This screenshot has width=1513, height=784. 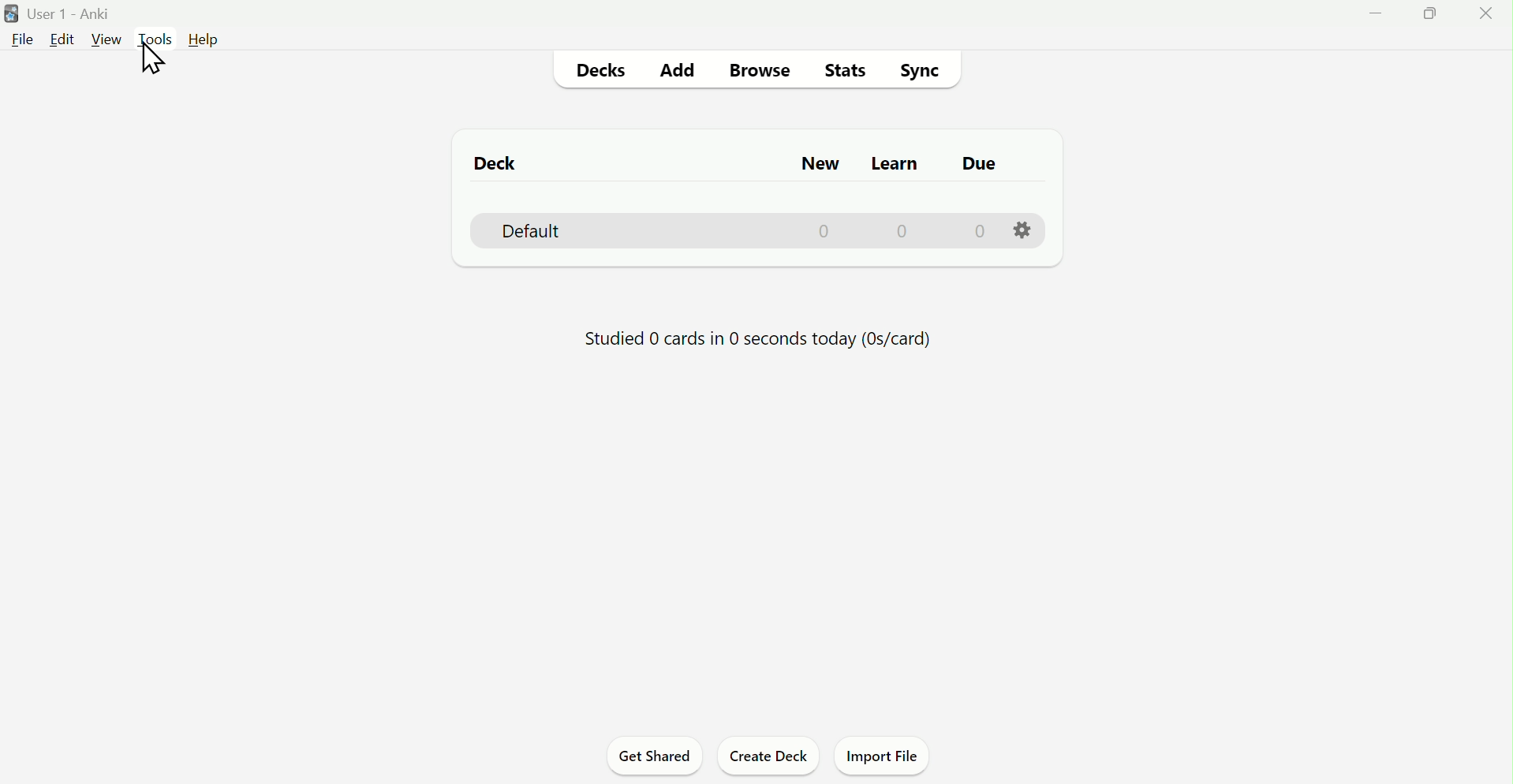 I want to click on Learn, so click(x=890, y=162).